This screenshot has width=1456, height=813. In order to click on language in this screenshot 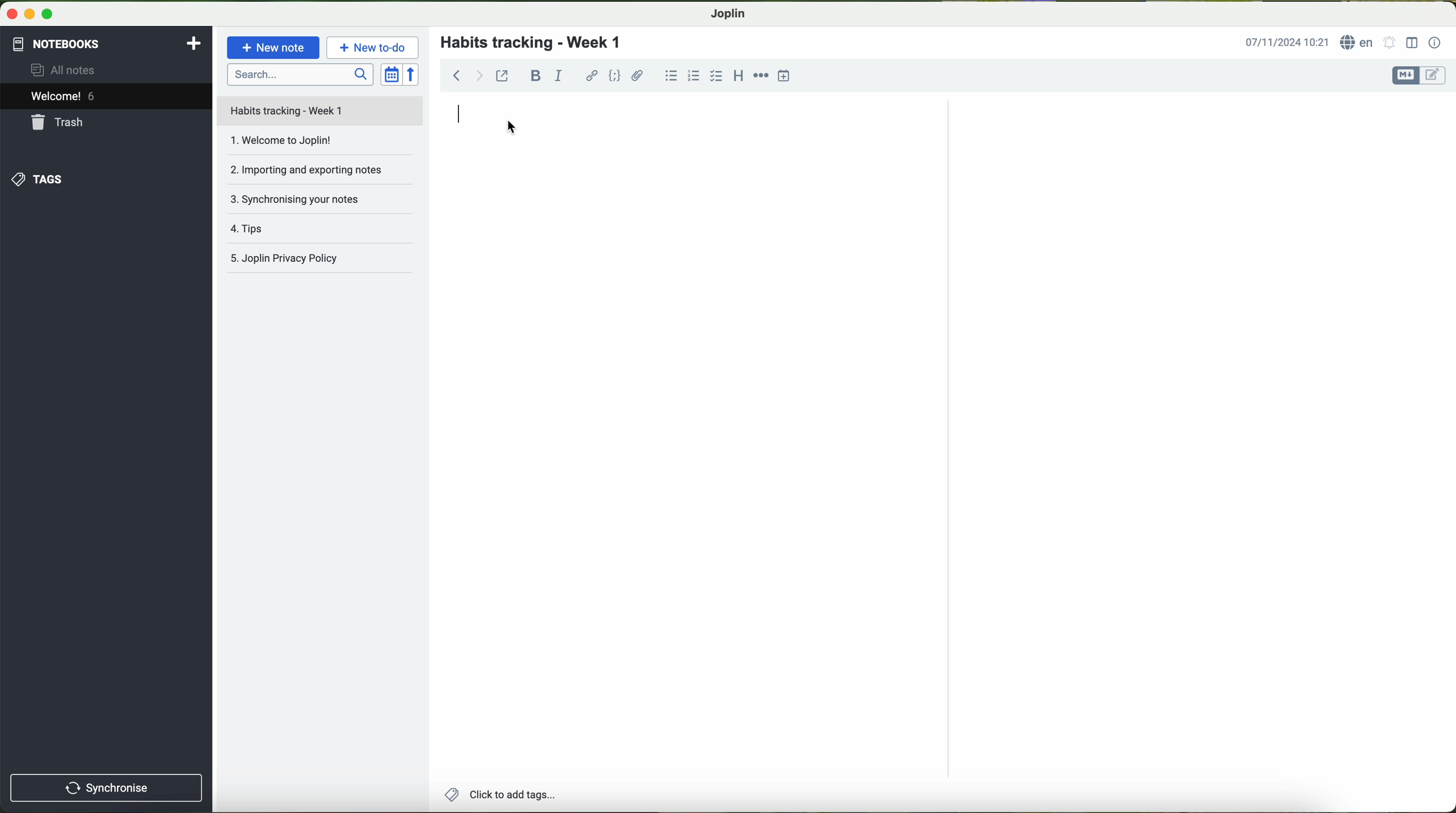, I will do `click(1358, 42)`.